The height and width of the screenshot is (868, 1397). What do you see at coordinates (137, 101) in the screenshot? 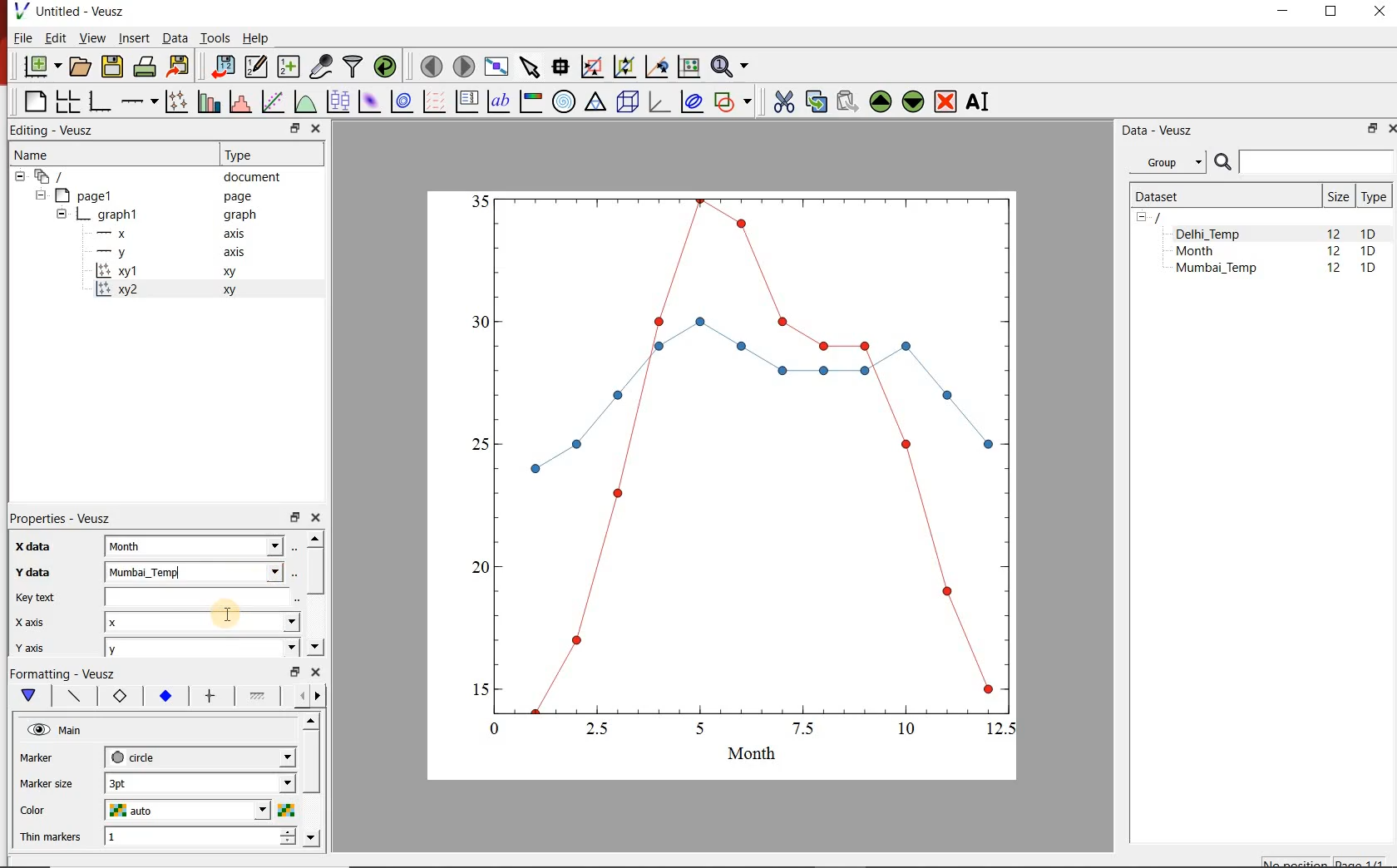
I see `Add an axis to the plot` at bounding box center [137, 101].